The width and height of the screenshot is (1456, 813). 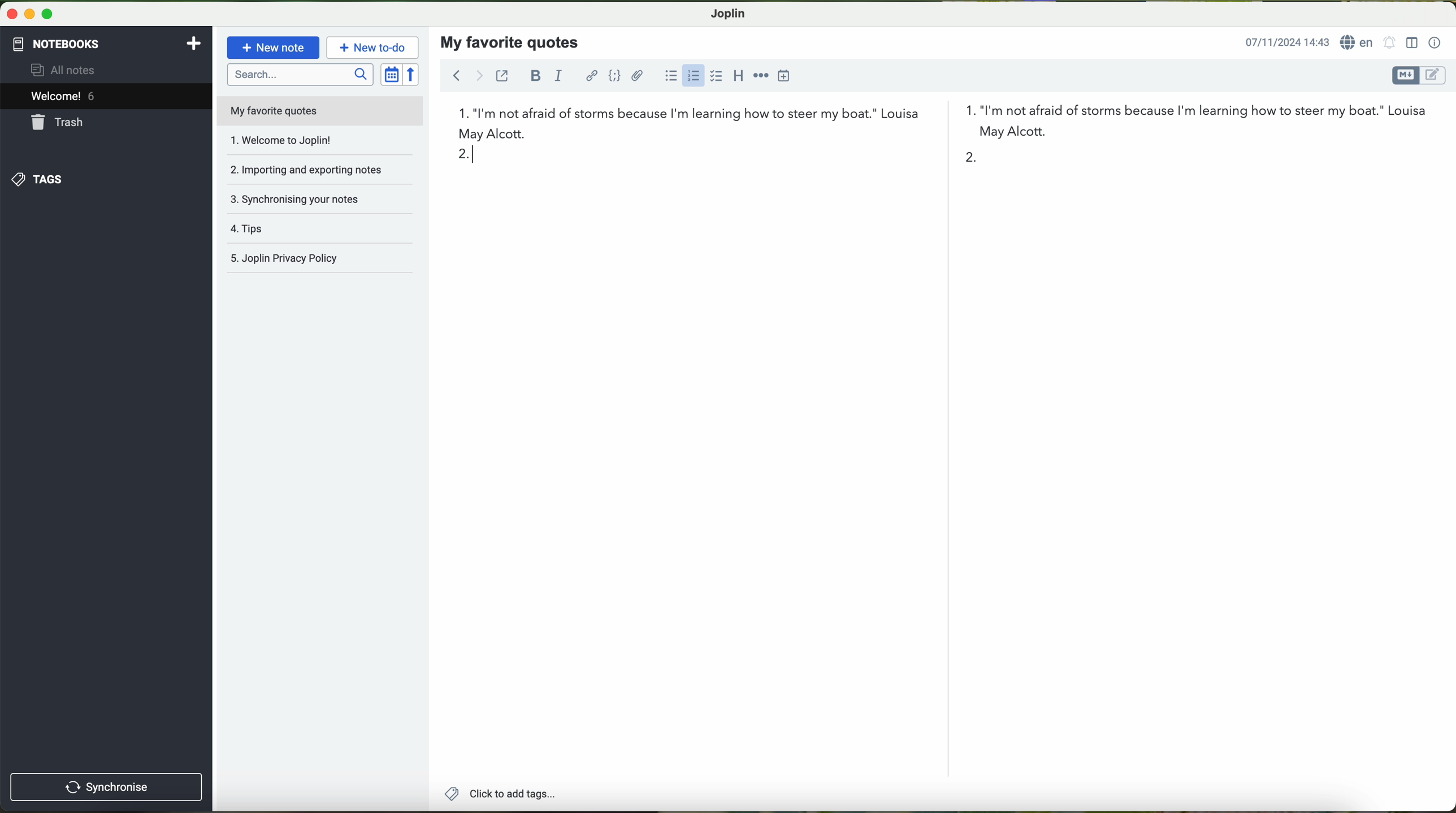 What do you see at coordinates (47, 18) in the screenshot?
I see `maximize` at bounding box center [47, 18].